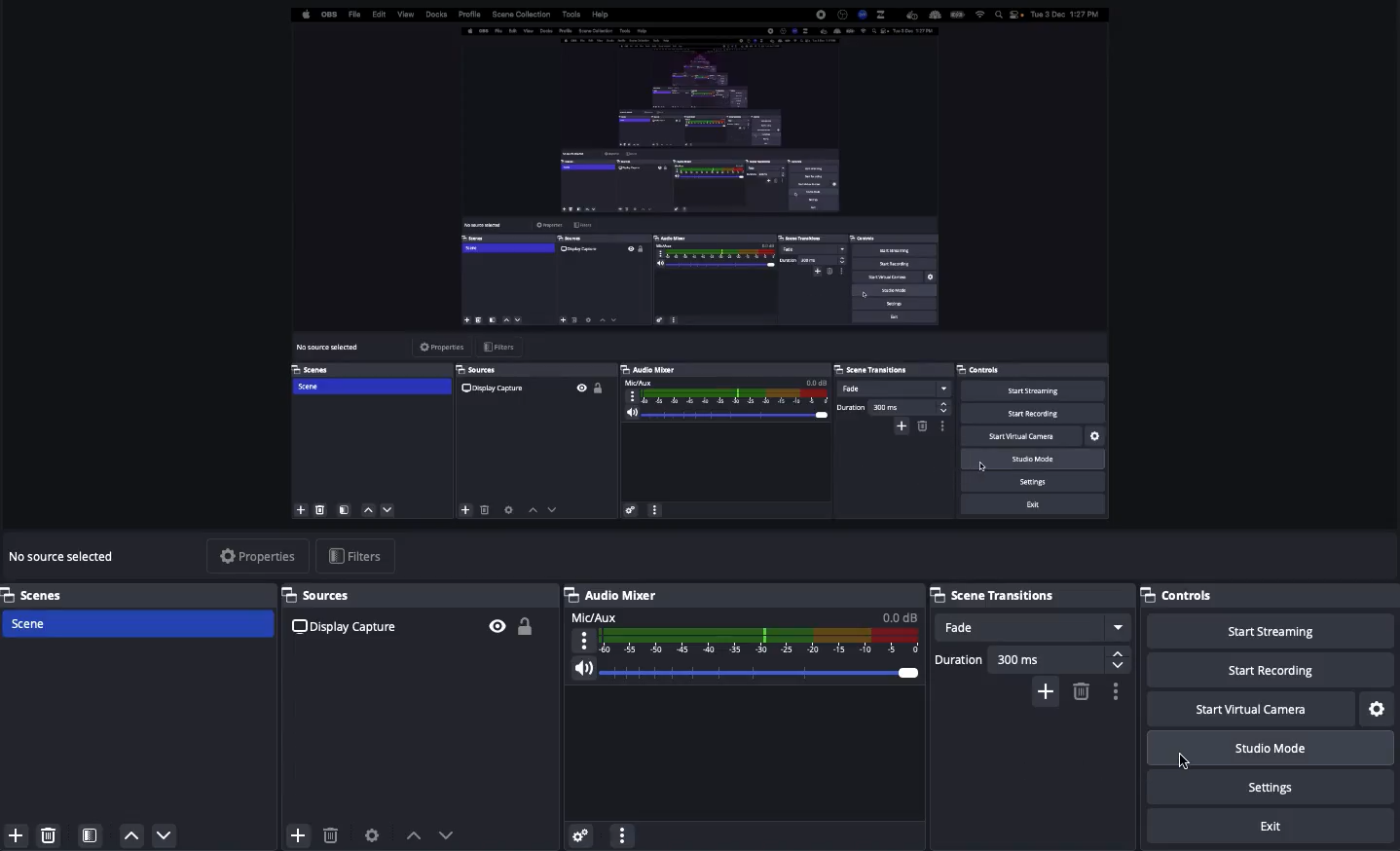  I want to click on Mic/Aux, so click(742, 634).